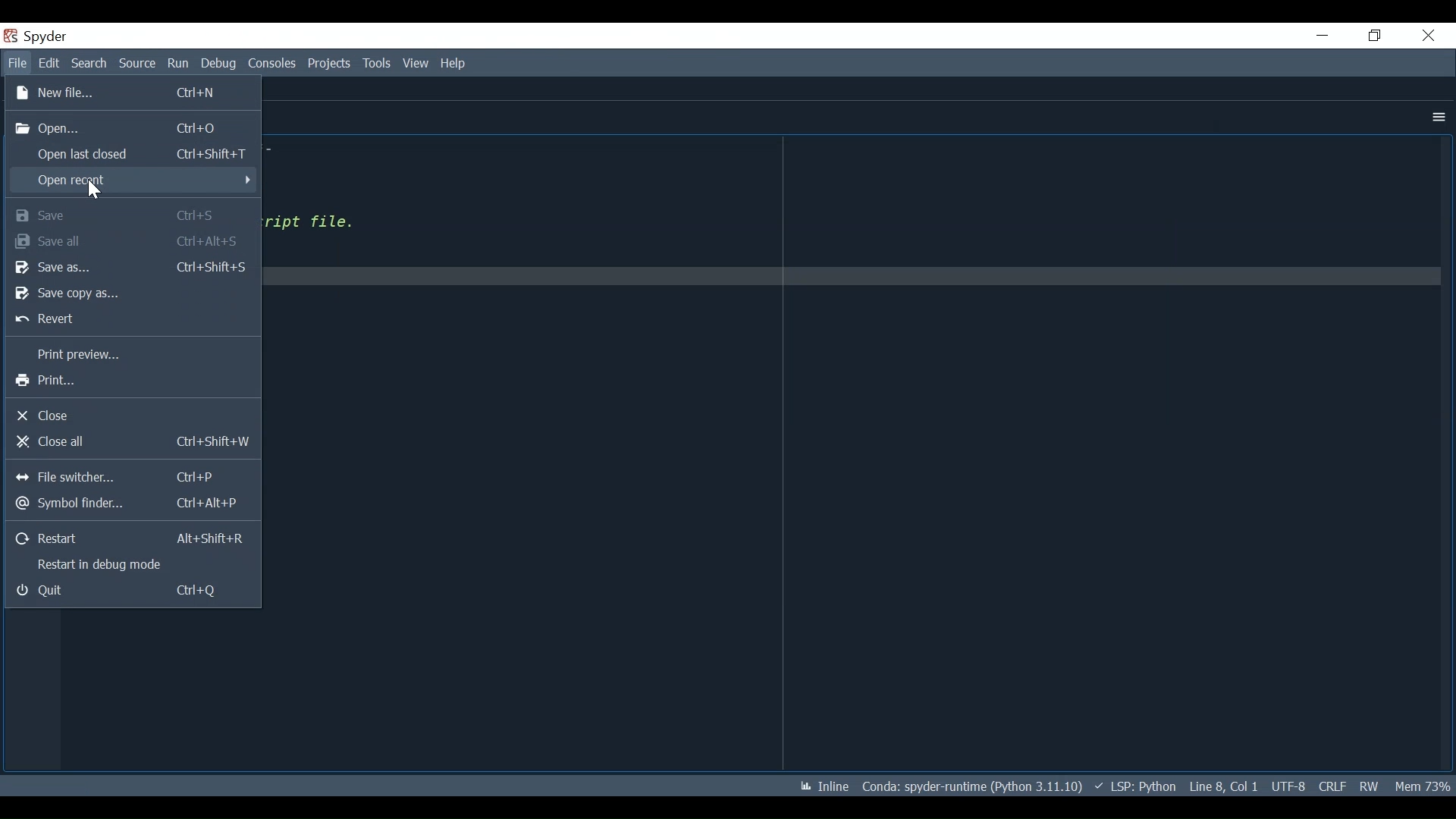 This screenshot has width=1456, height=819. I want to click on LSP: Python, so click(1136, 787).